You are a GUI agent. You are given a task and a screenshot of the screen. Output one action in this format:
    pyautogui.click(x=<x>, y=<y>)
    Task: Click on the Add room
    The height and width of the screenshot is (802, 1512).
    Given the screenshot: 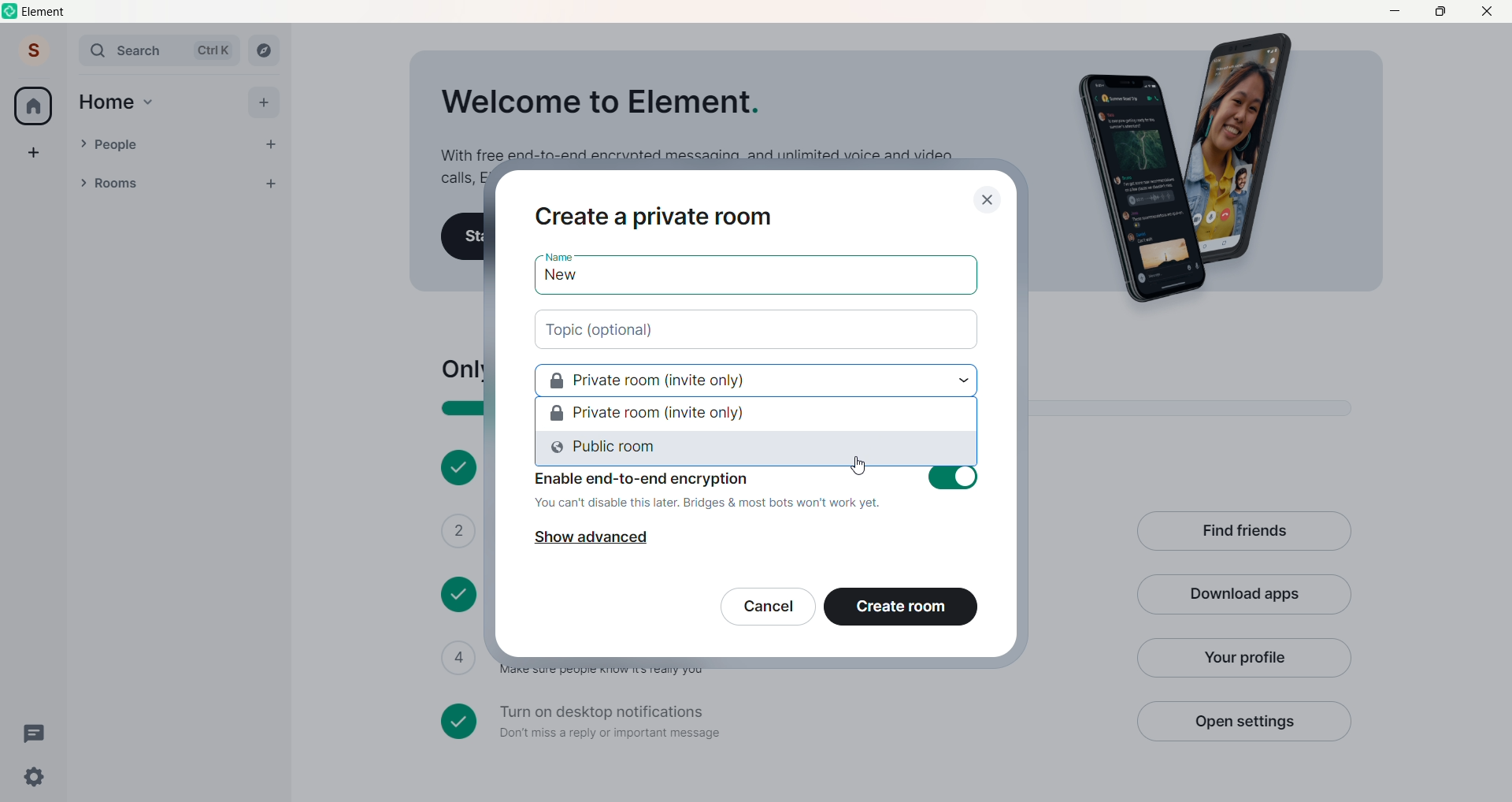 What is the action you would take?
    pyautogui.click(x=276, y=181)
    